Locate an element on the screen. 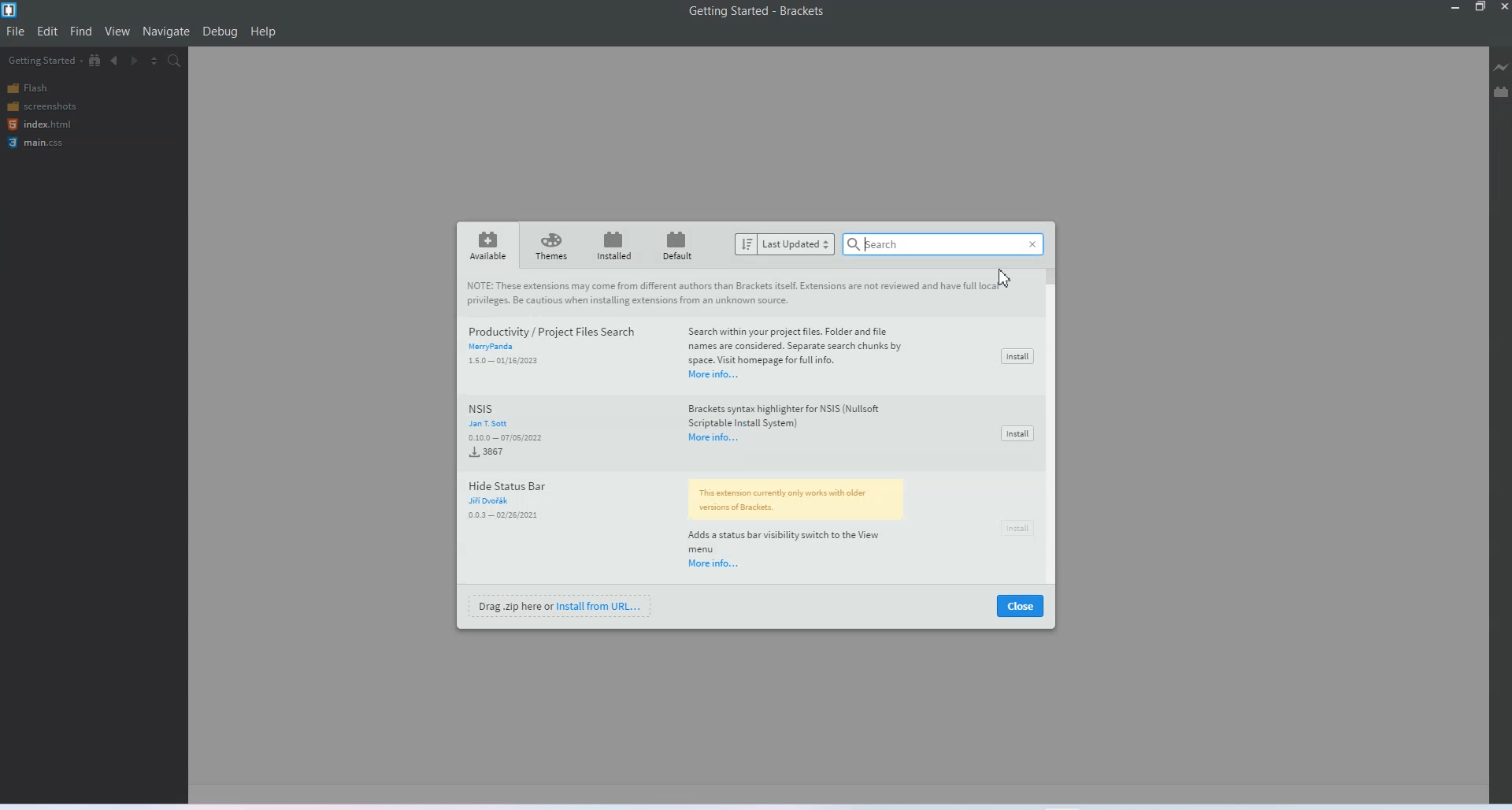 This screenshot has width=1512, height=810. Hide Status Bar is located at coordinates (515, 484).